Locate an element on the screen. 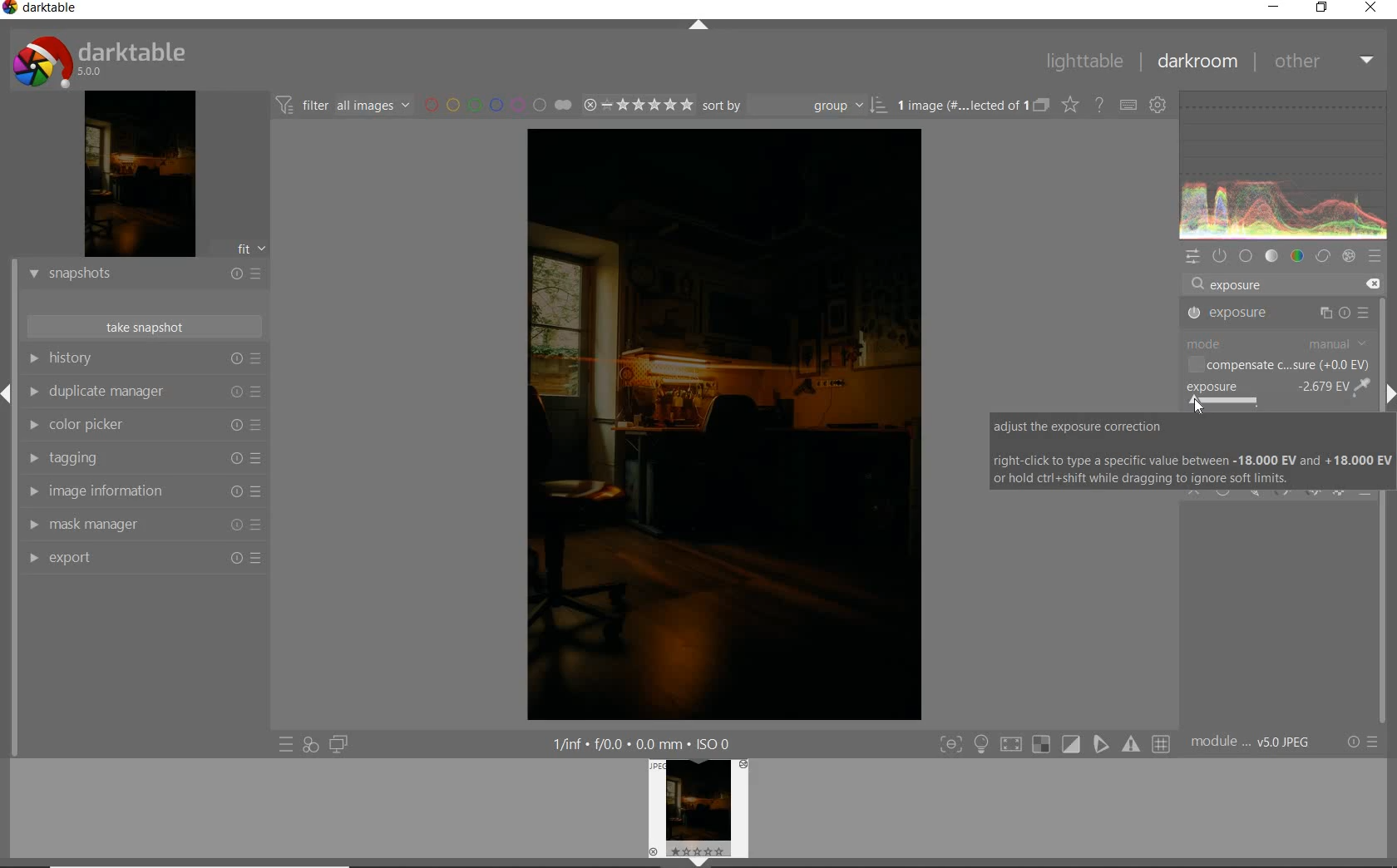  take snapshots is located at coordinates (146, 326).